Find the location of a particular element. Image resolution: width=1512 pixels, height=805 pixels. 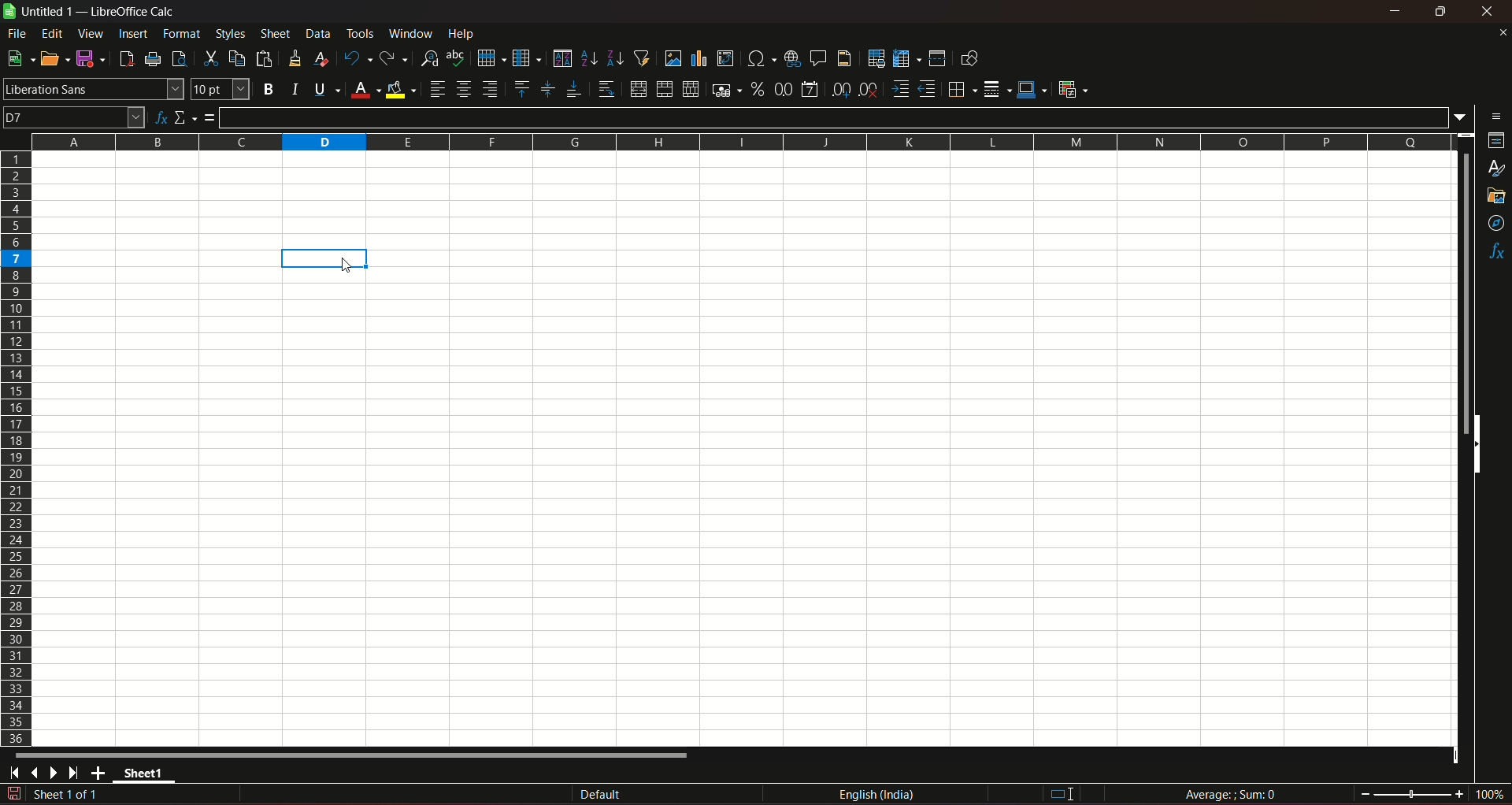

open is located at coordinates (51, 58).